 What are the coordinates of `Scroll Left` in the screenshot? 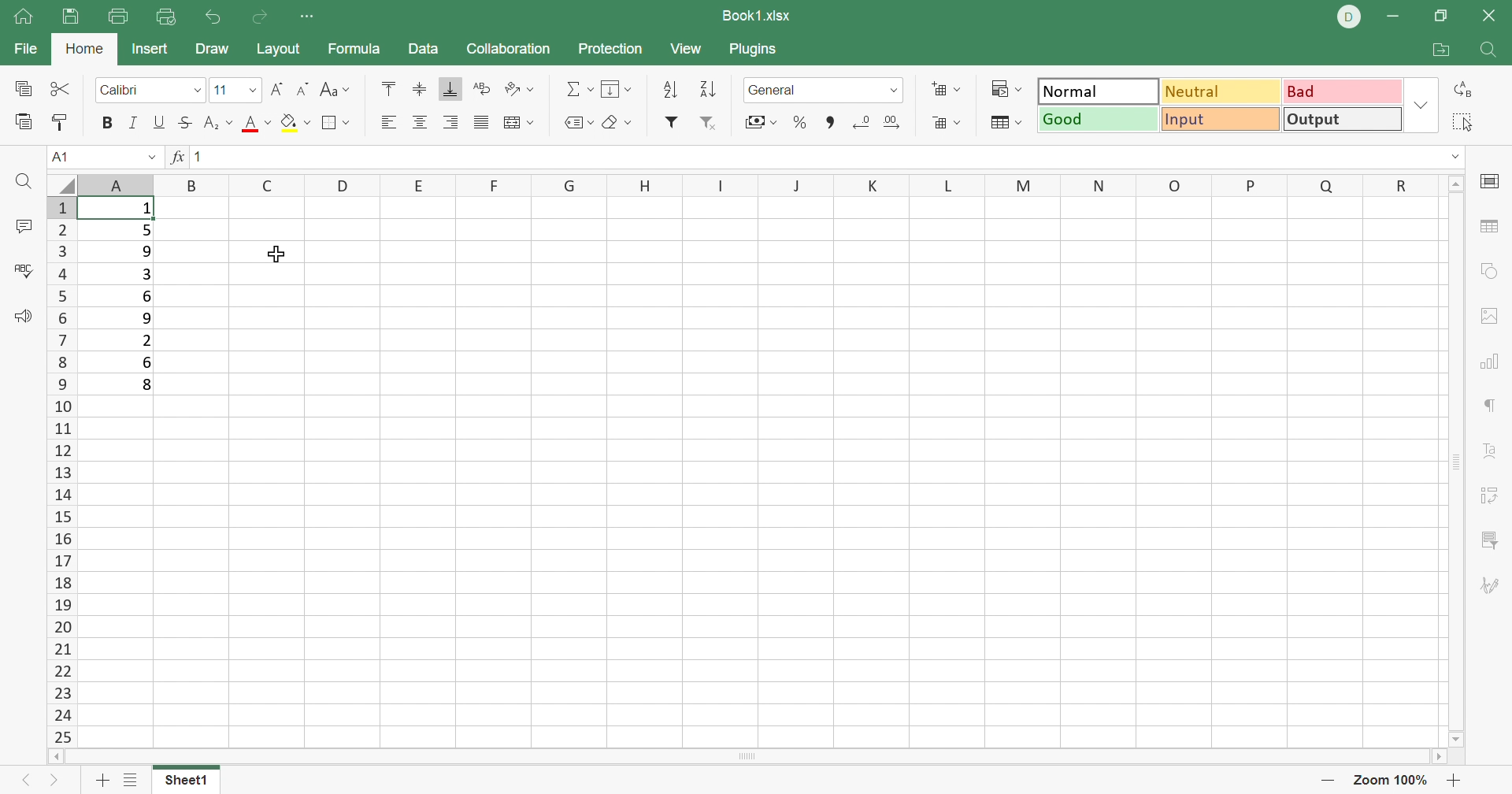 It's located at (60, 755).